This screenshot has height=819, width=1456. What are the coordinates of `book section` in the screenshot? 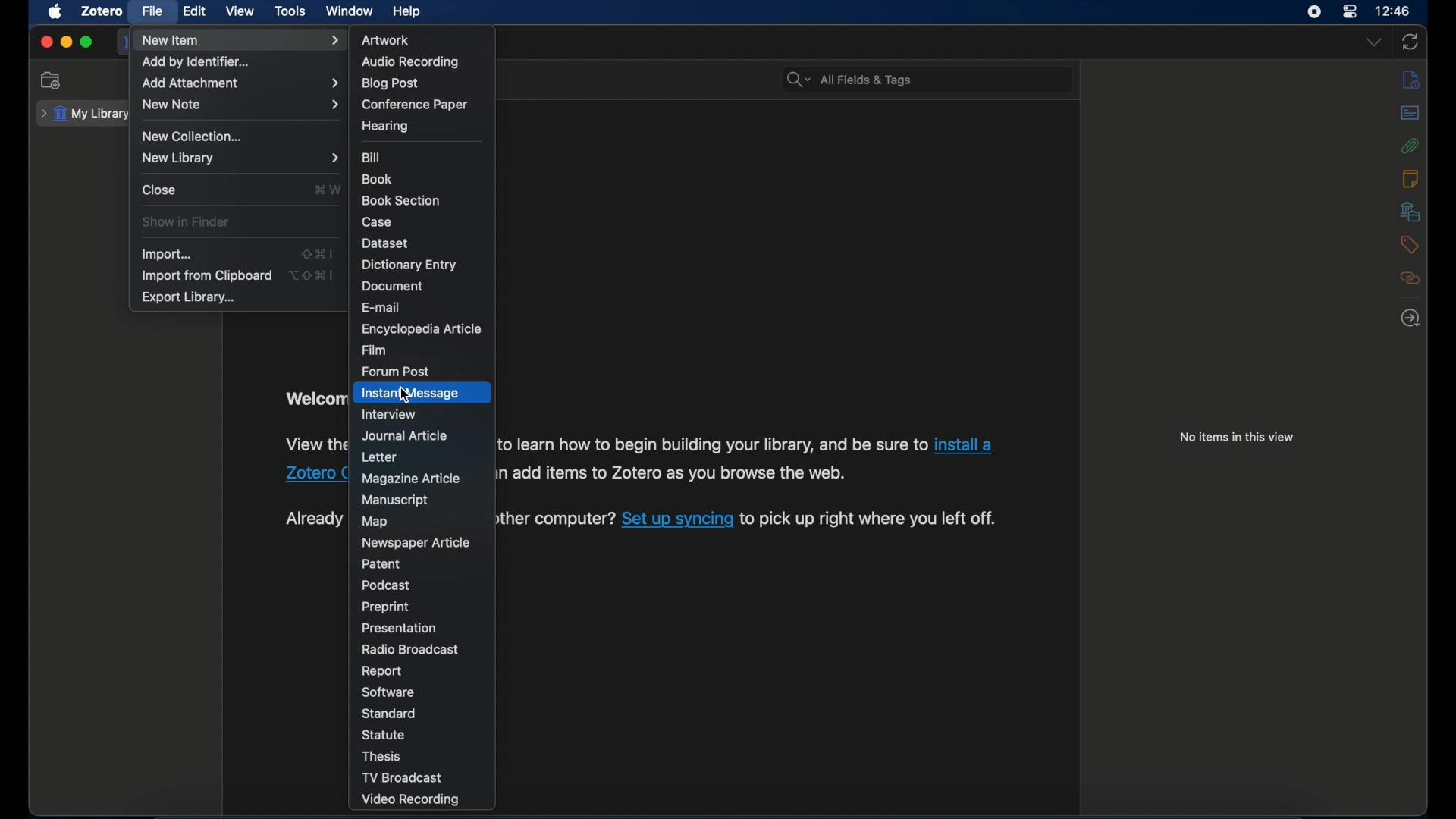 It's located at (401, 202).